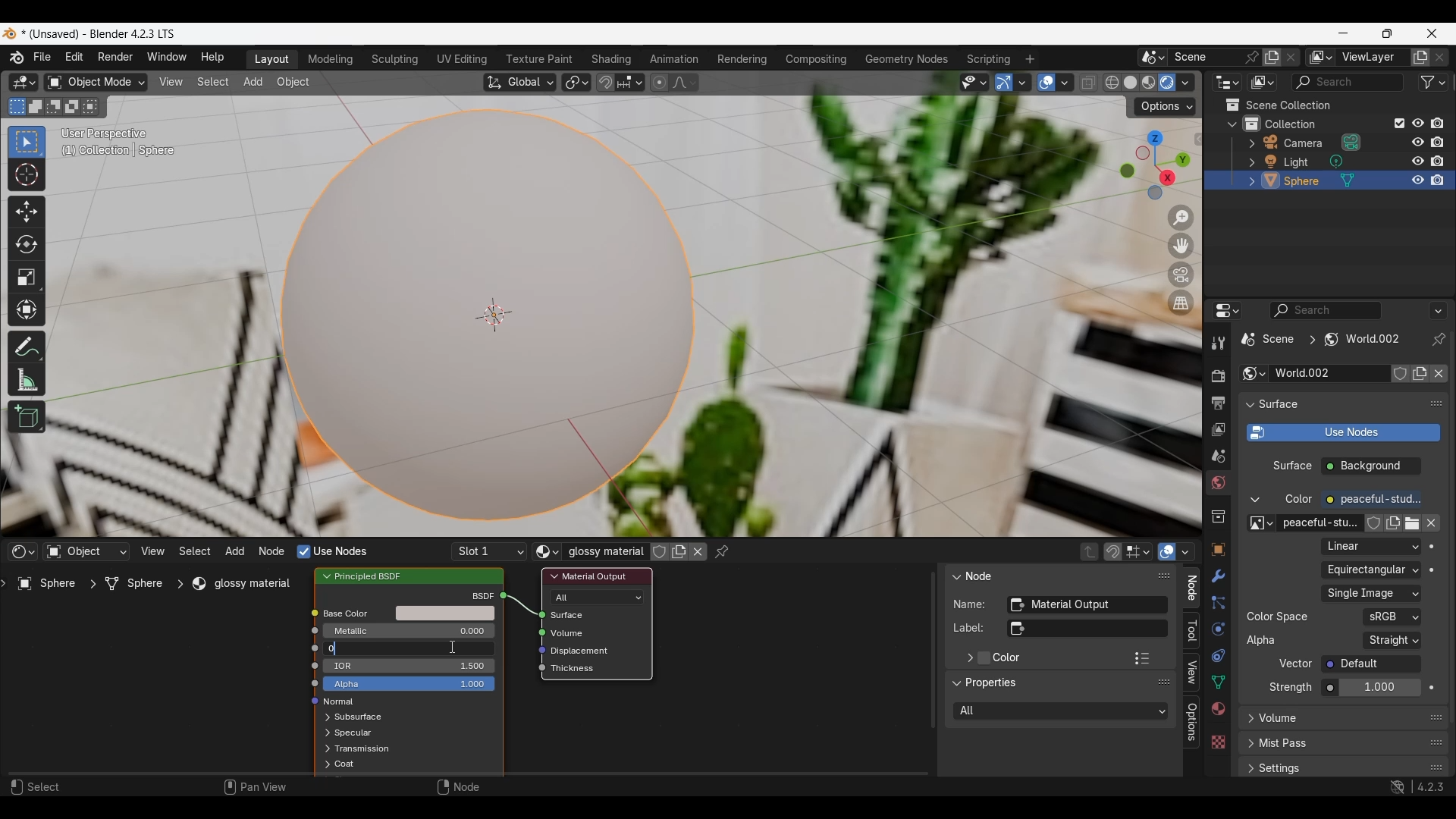 This screenshot has height=819, width=1456. What do you see at coordinates (1163, 682) in the screenshot?
I see `Float panel` at bounding box center [1163, 682].